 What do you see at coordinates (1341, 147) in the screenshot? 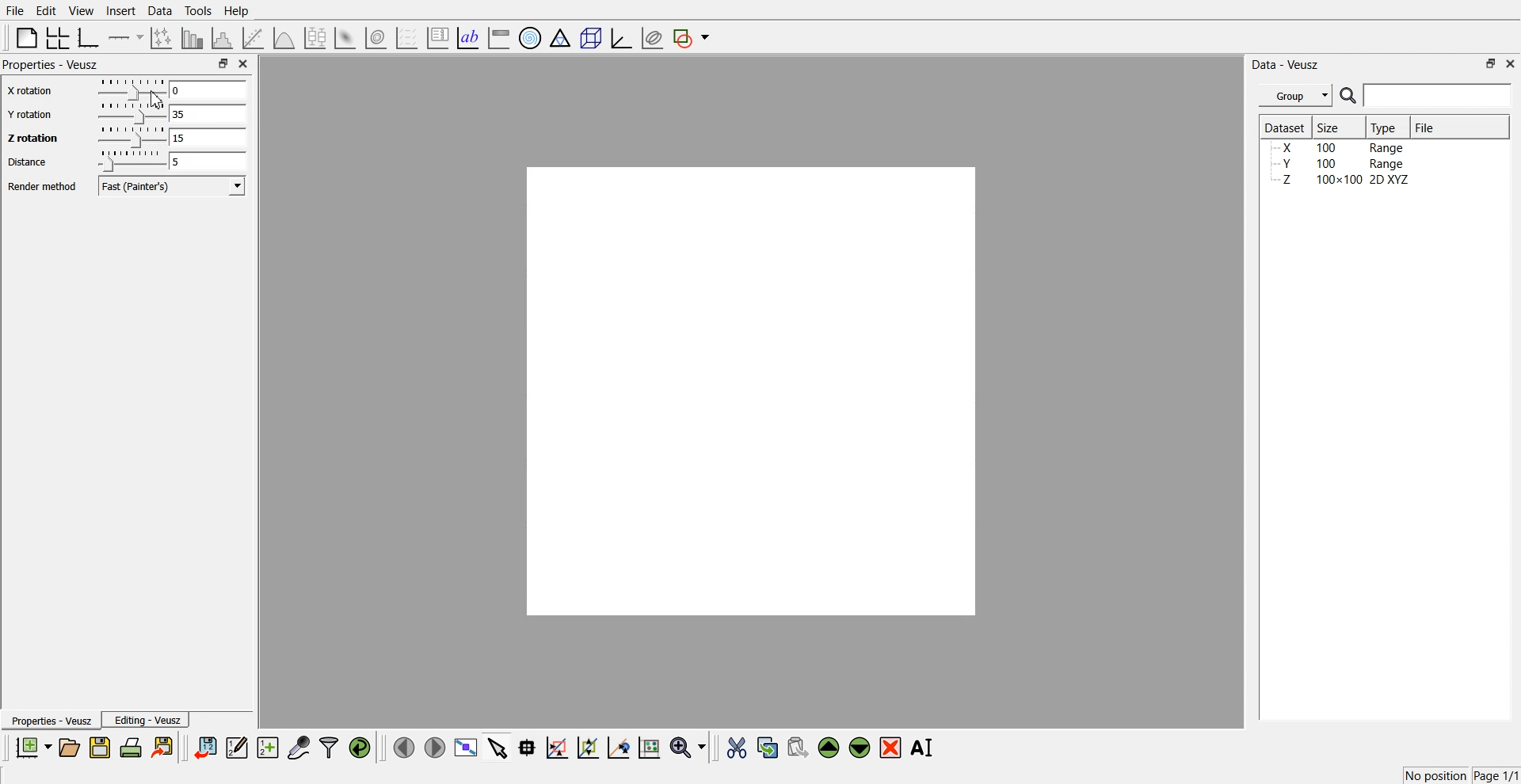
I see `X 100 Range` at bounding box center [1341, 147].